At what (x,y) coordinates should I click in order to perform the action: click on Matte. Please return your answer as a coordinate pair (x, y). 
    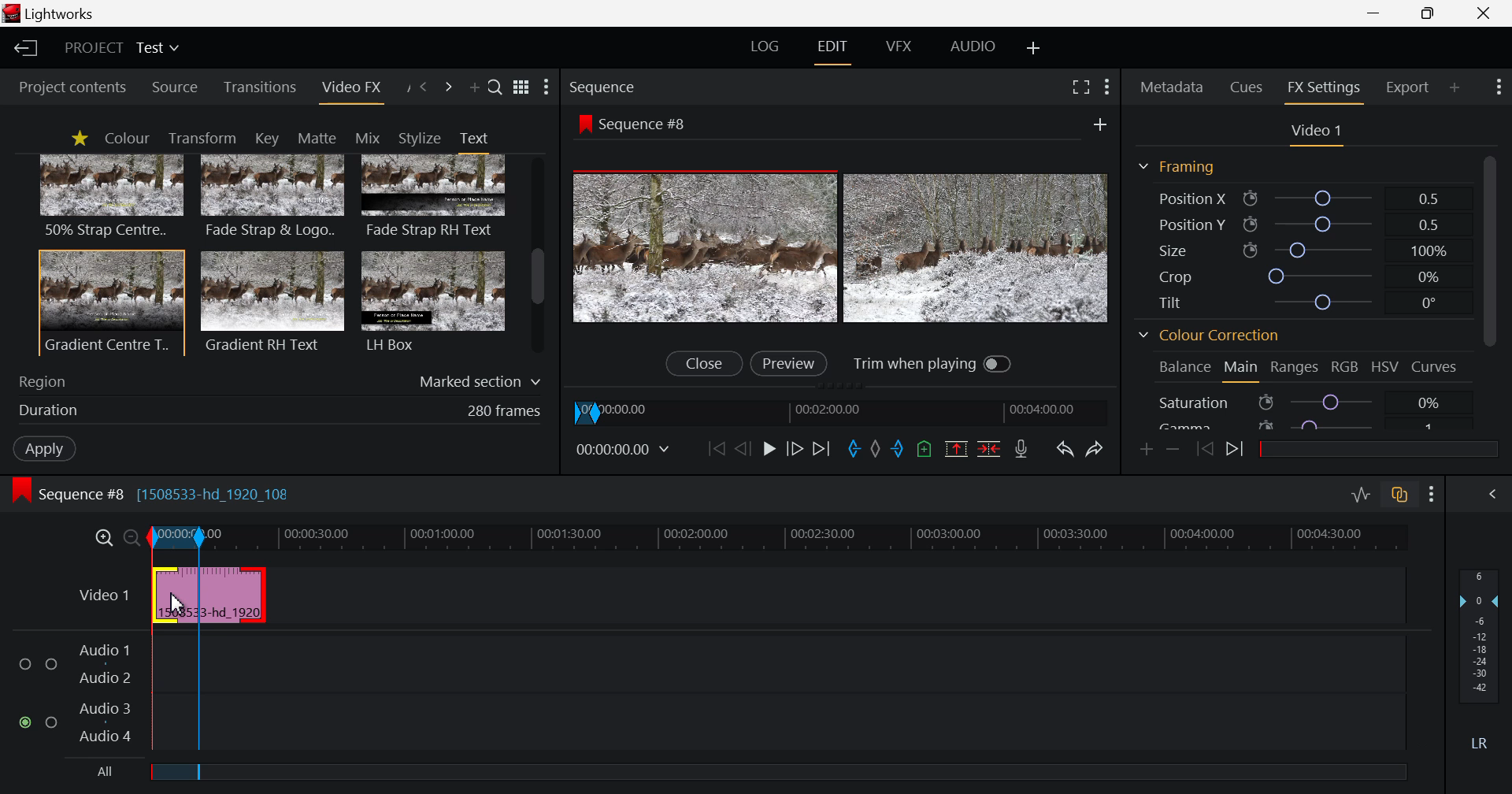
    Looking at the image, I should click on (316, 137).